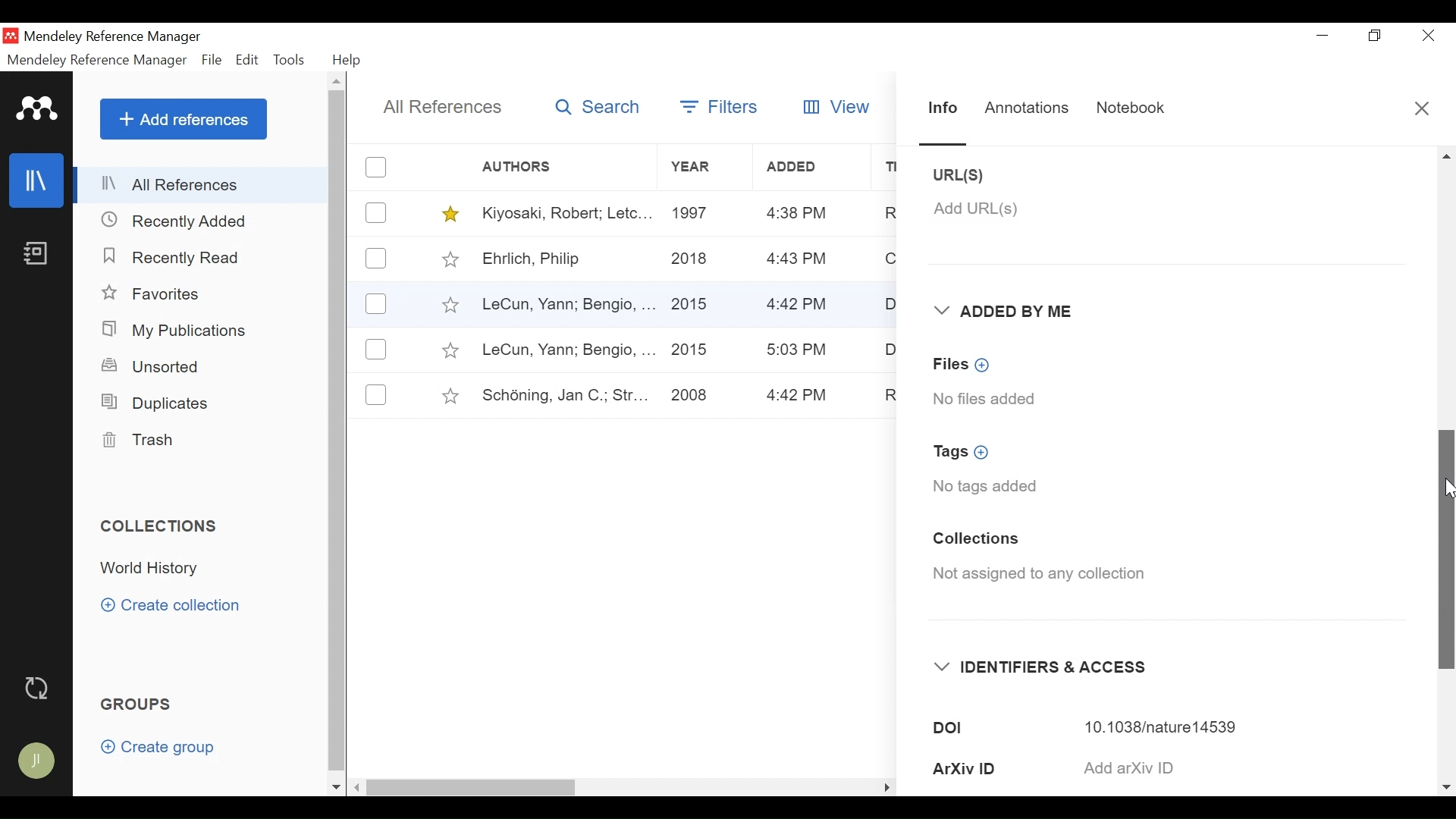 The width and height of the screenshot is (1456, 819). Describe the element at coordinates (992, 768) in the screenshot. I see `ArXiv ID` at that location.